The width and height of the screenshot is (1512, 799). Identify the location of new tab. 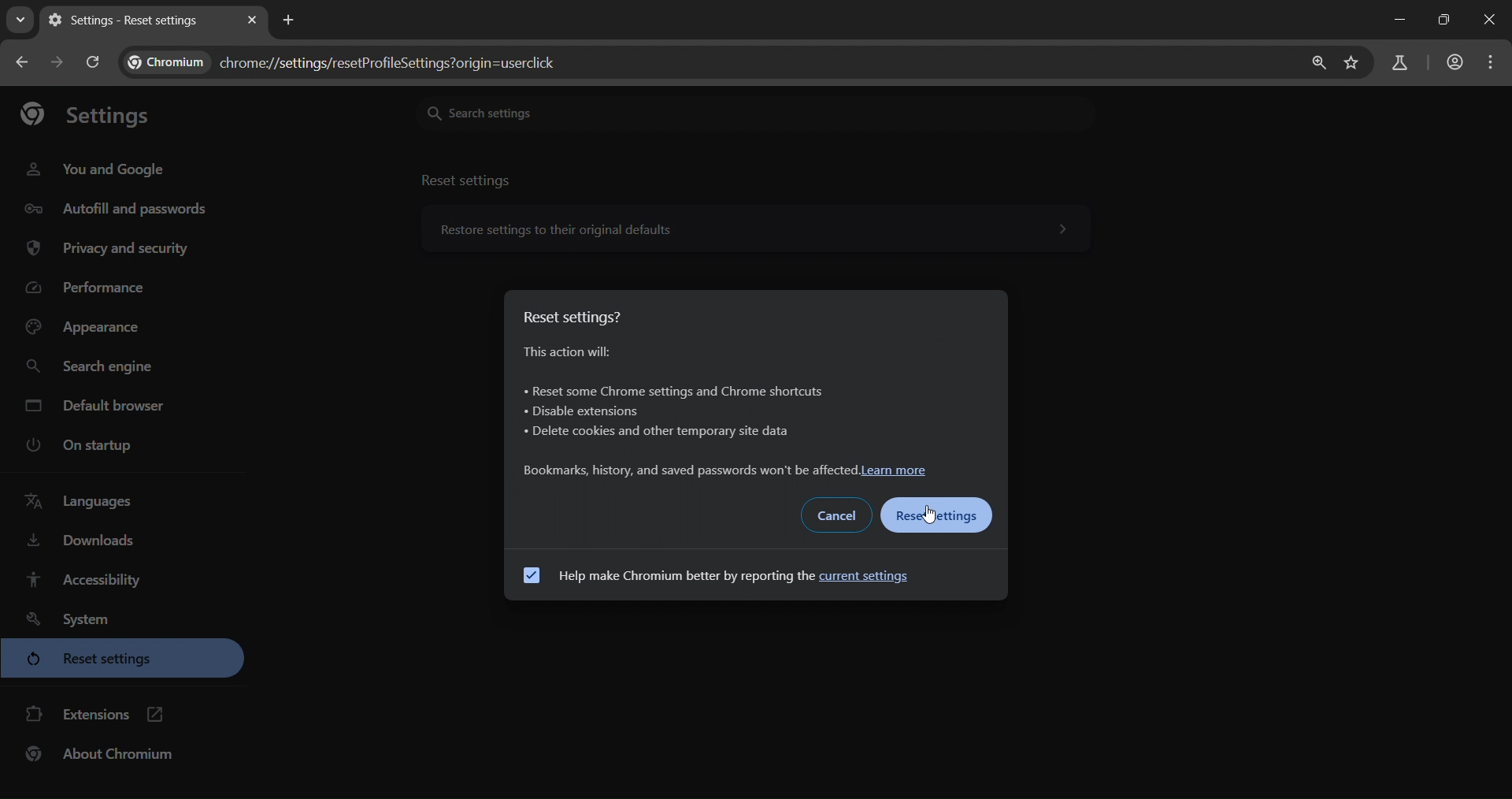
(289, 20).